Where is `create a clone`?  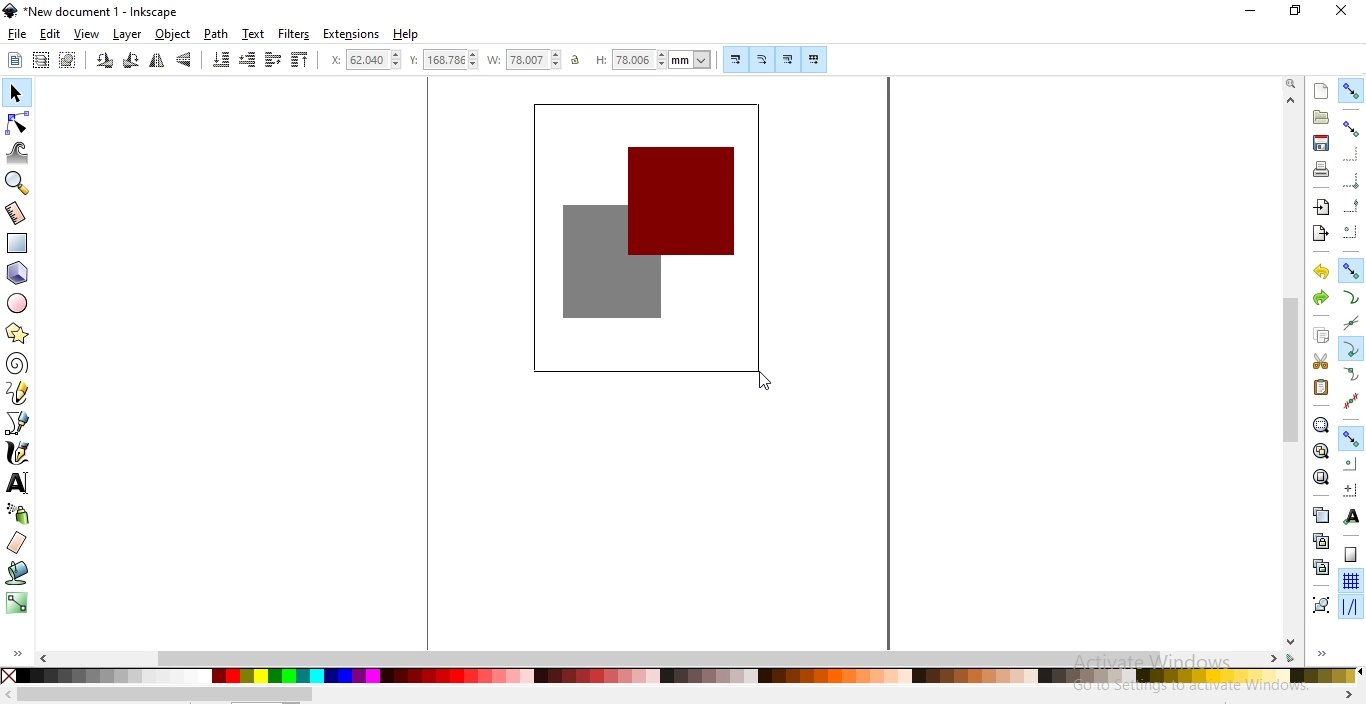
create a clone is located at coordinates (1320, 541).